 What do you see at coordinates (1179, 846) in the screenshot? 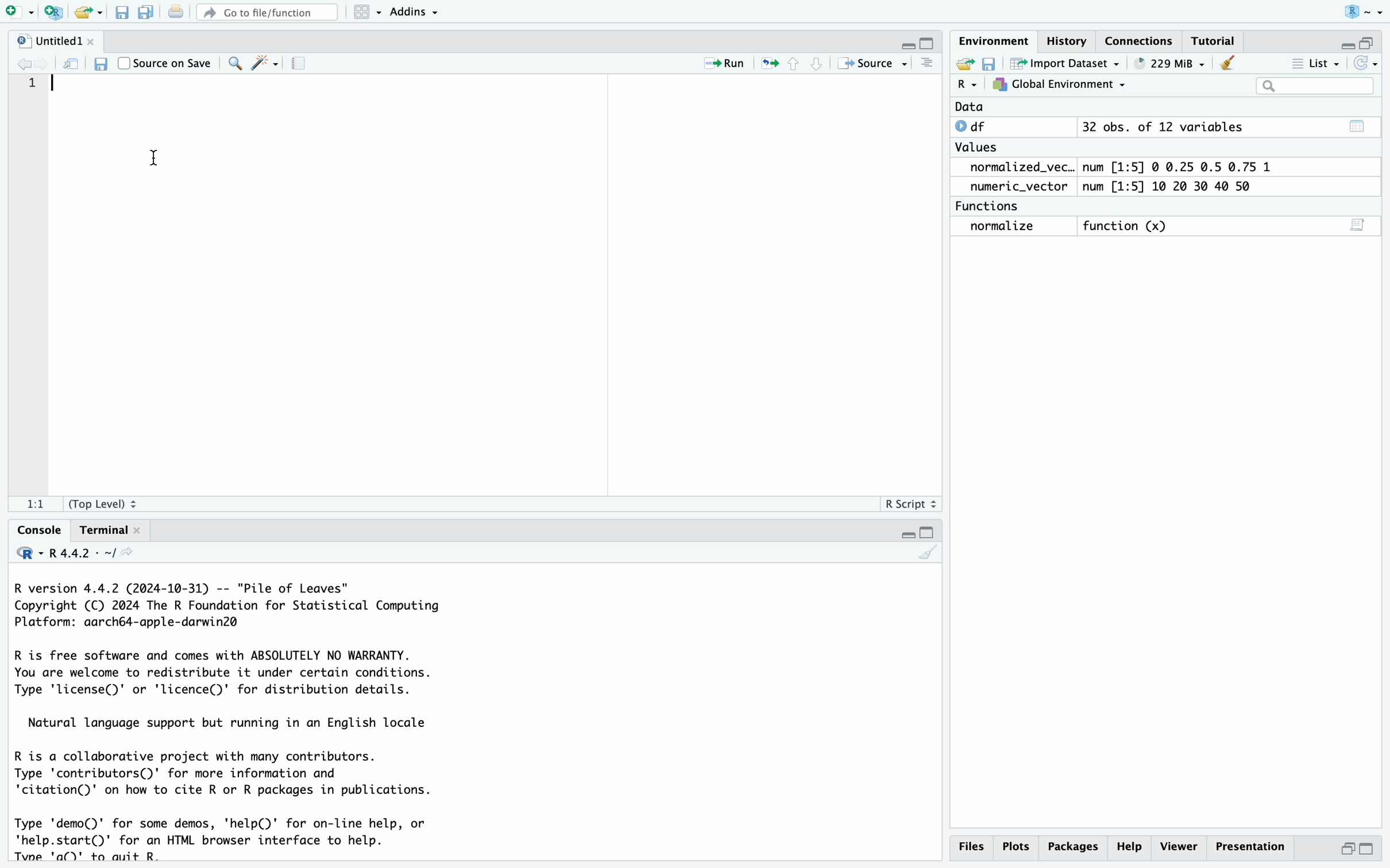
I see `Viewer` at bounding box center [1179, 846].